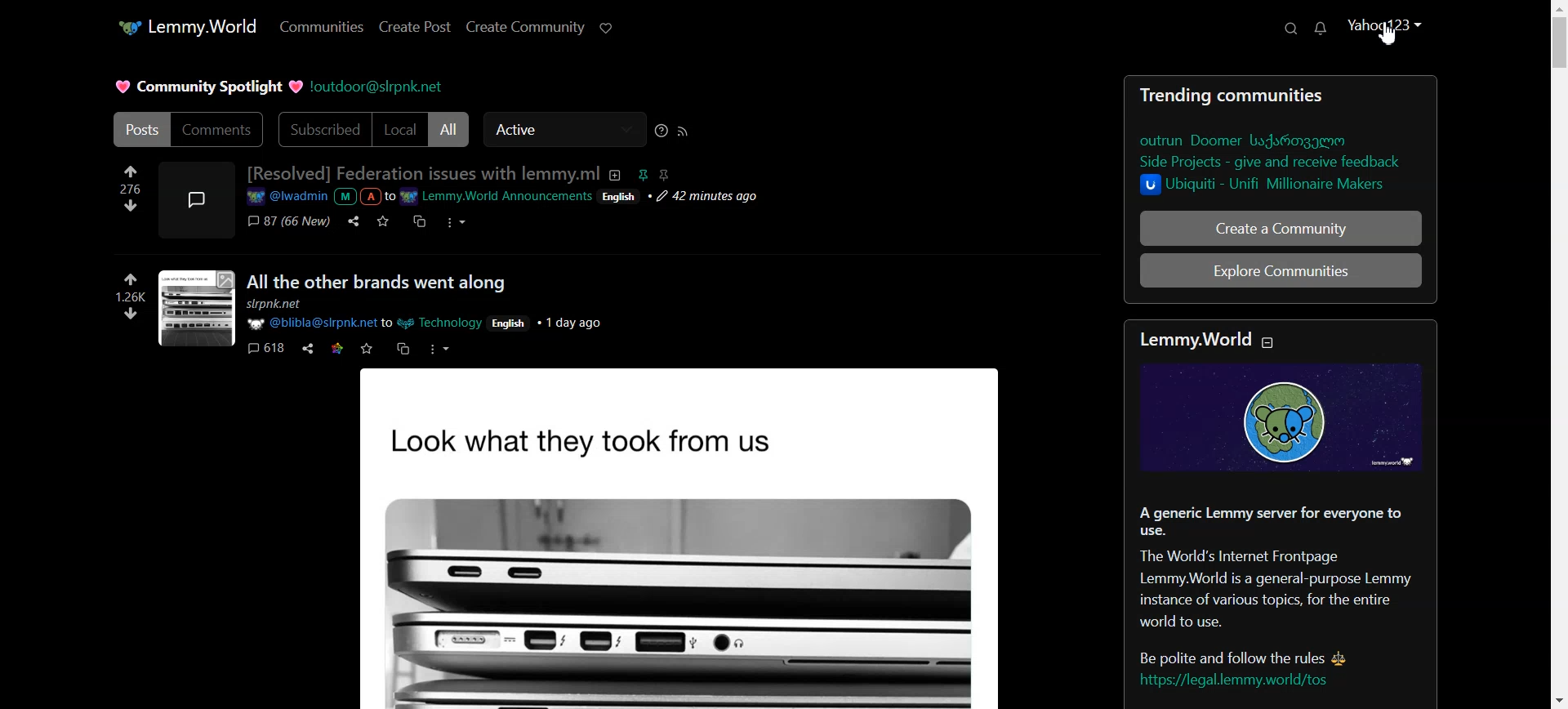 This screenshot has height=709, width=1568. What do you see at coordinates (377, 283) in the screenshot?
I see `all the other brands went along` at bounding box center [377, 283].